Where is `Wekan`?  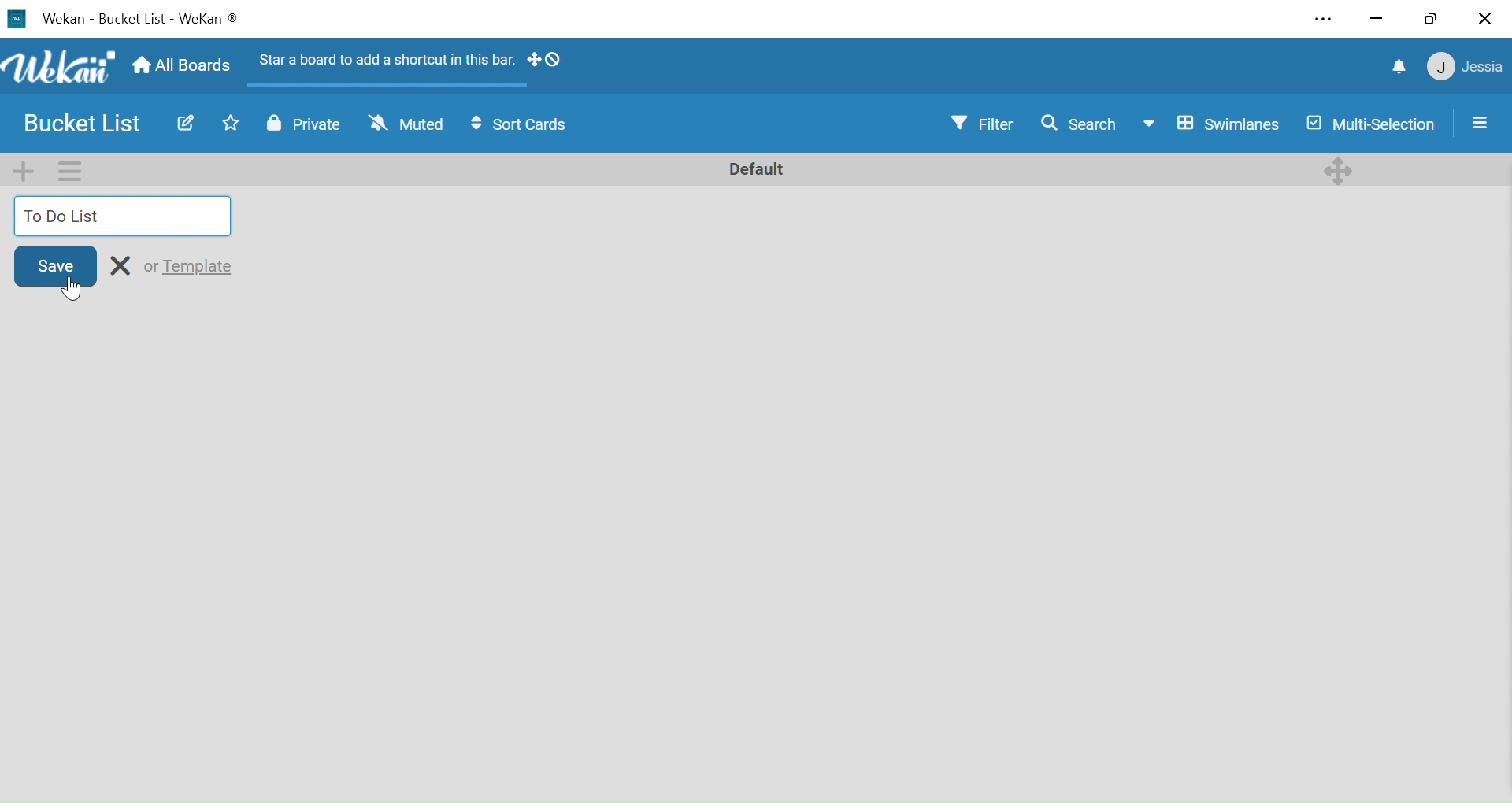
Wekan is located at coordinates (58, 67).